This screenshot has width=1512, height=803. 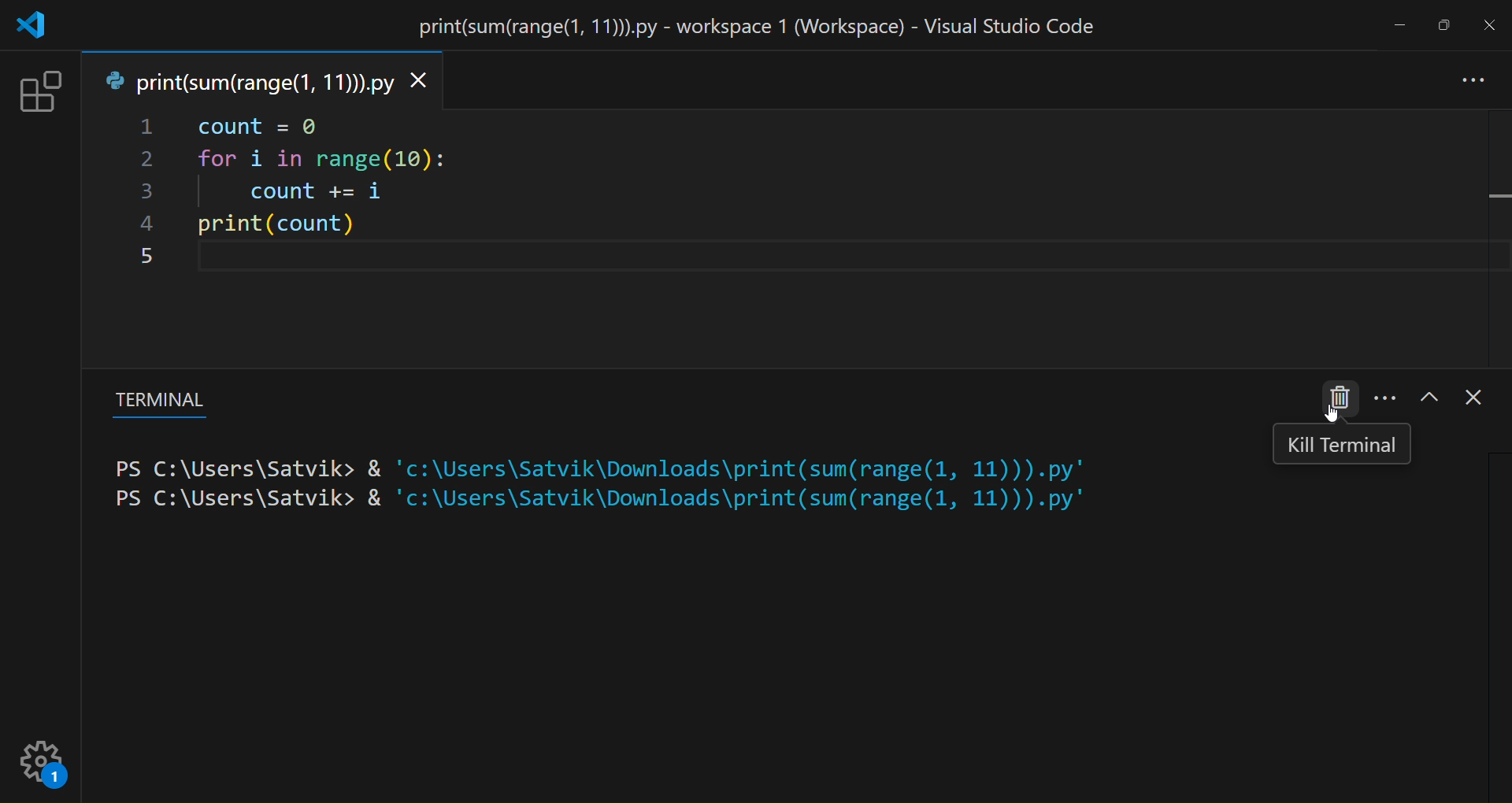 What do you see at coordinates (1342, 447) in the screenshot?
I see `kill terminal` at bounding box center [1342, 447].